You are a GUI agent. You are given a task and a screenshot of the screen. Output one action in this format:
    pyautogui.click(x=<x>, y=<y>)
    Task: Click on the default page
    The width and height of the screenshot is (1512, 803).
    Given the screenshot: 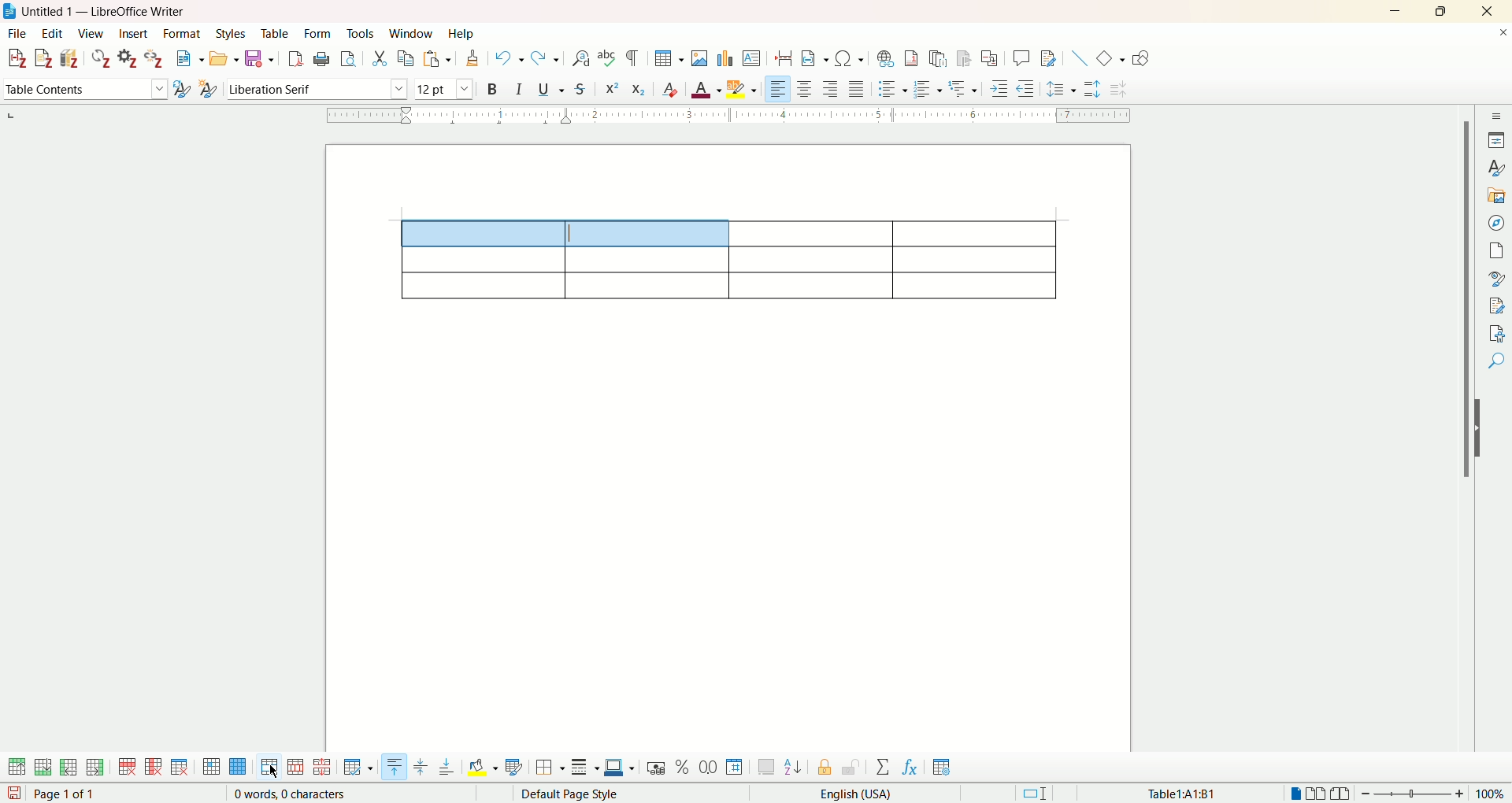 What is the action you would take?
    pyautogui.click(x=612, y=792)
    